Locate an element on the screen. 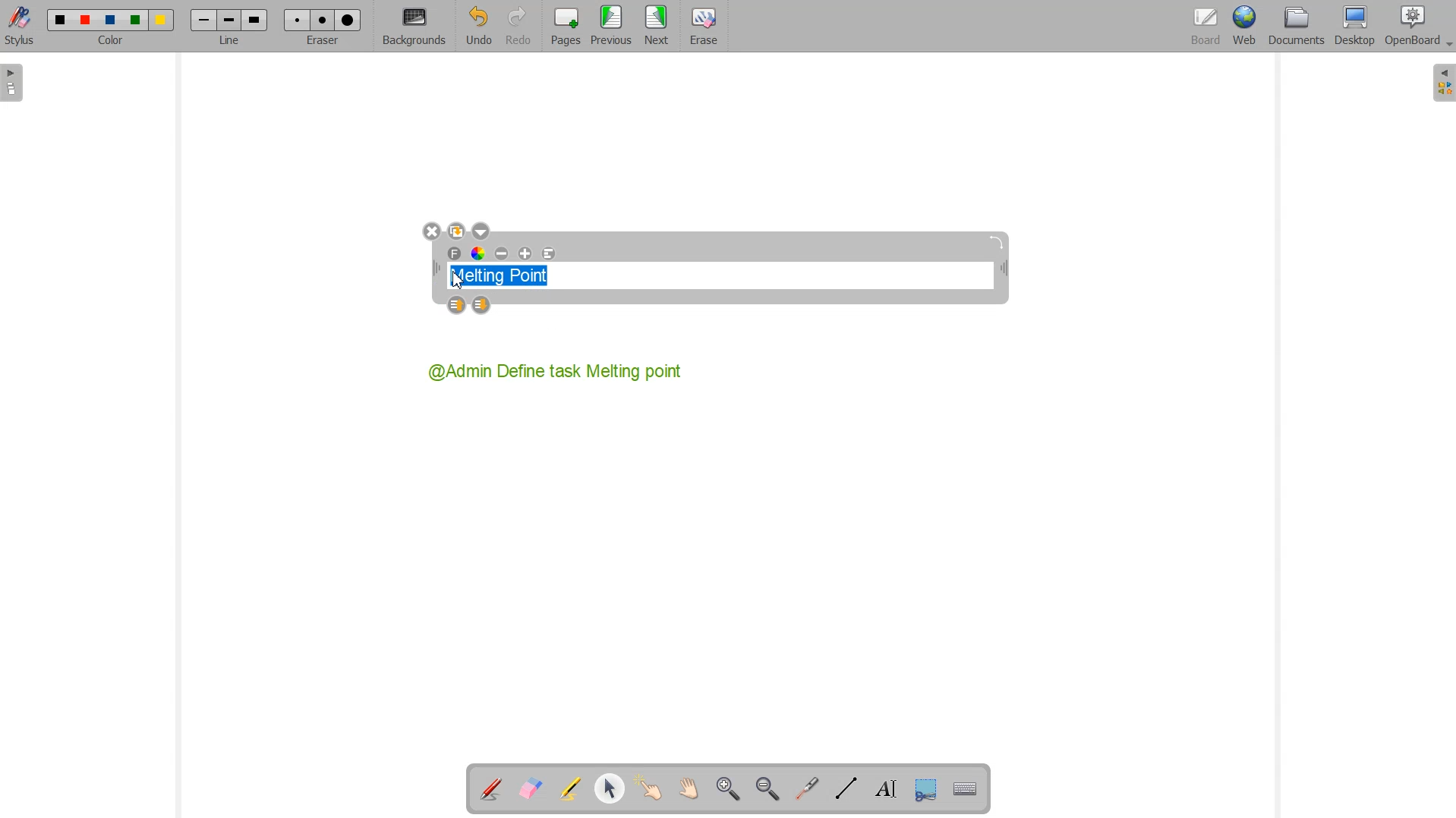  Maximize text size is located at coordinates (525, 254).